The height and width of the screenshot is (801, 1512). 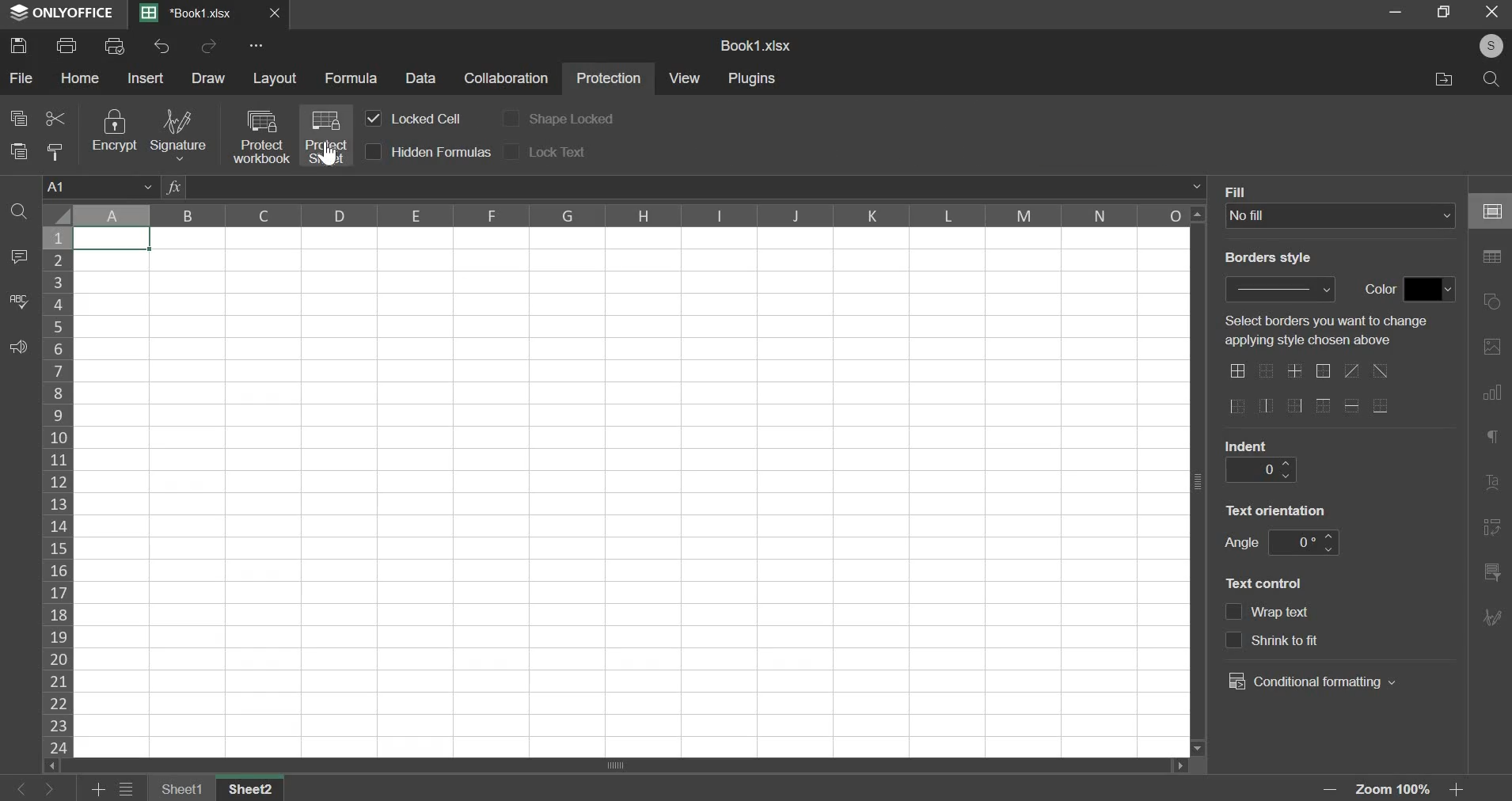 What do you see at coordinates (1492, 615) in the screenshot?
I see `right side bar` at bounding box center [1492, 615].